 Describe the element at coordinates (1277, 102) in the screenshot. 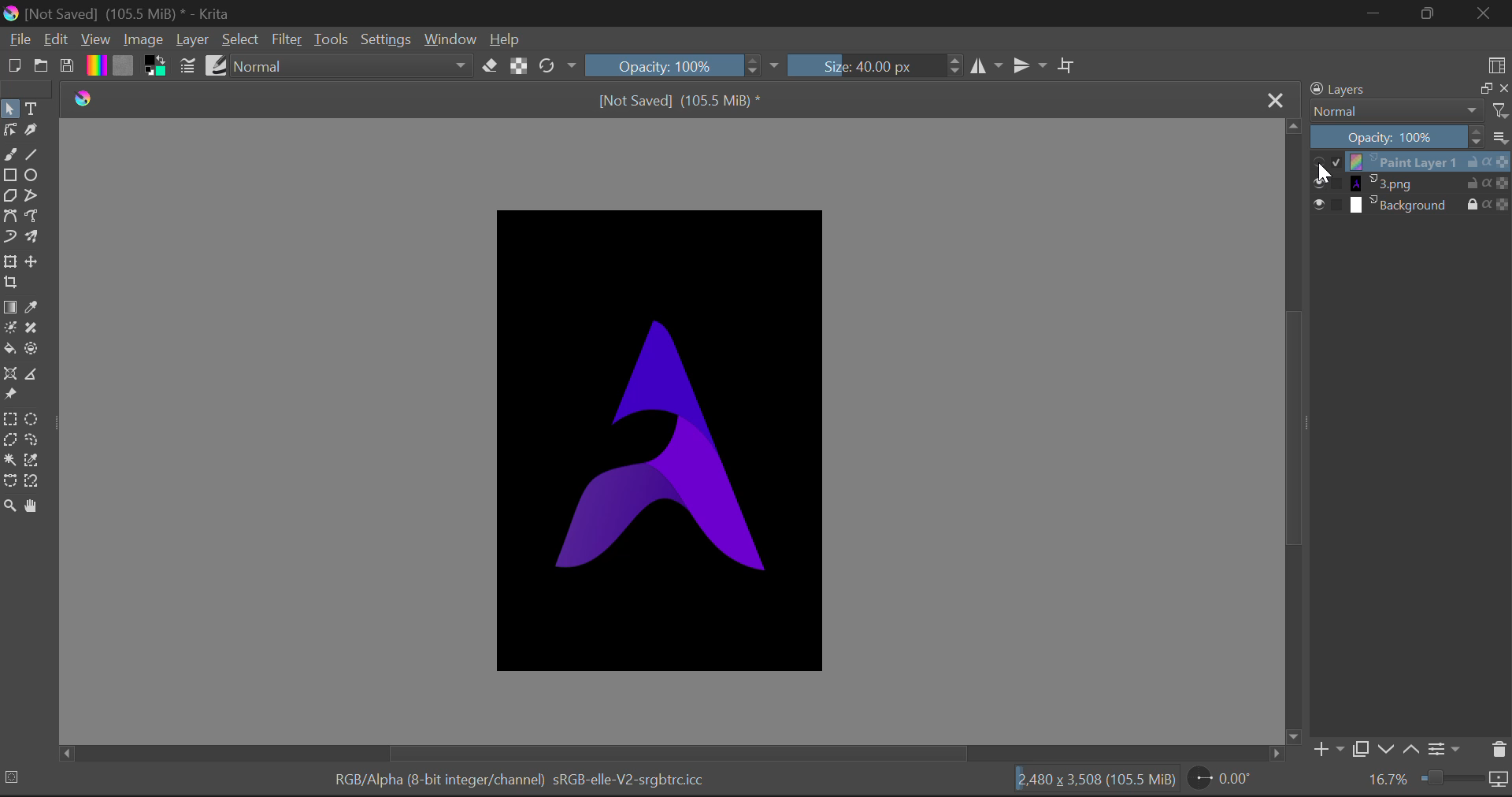

I see `Close` at that location.